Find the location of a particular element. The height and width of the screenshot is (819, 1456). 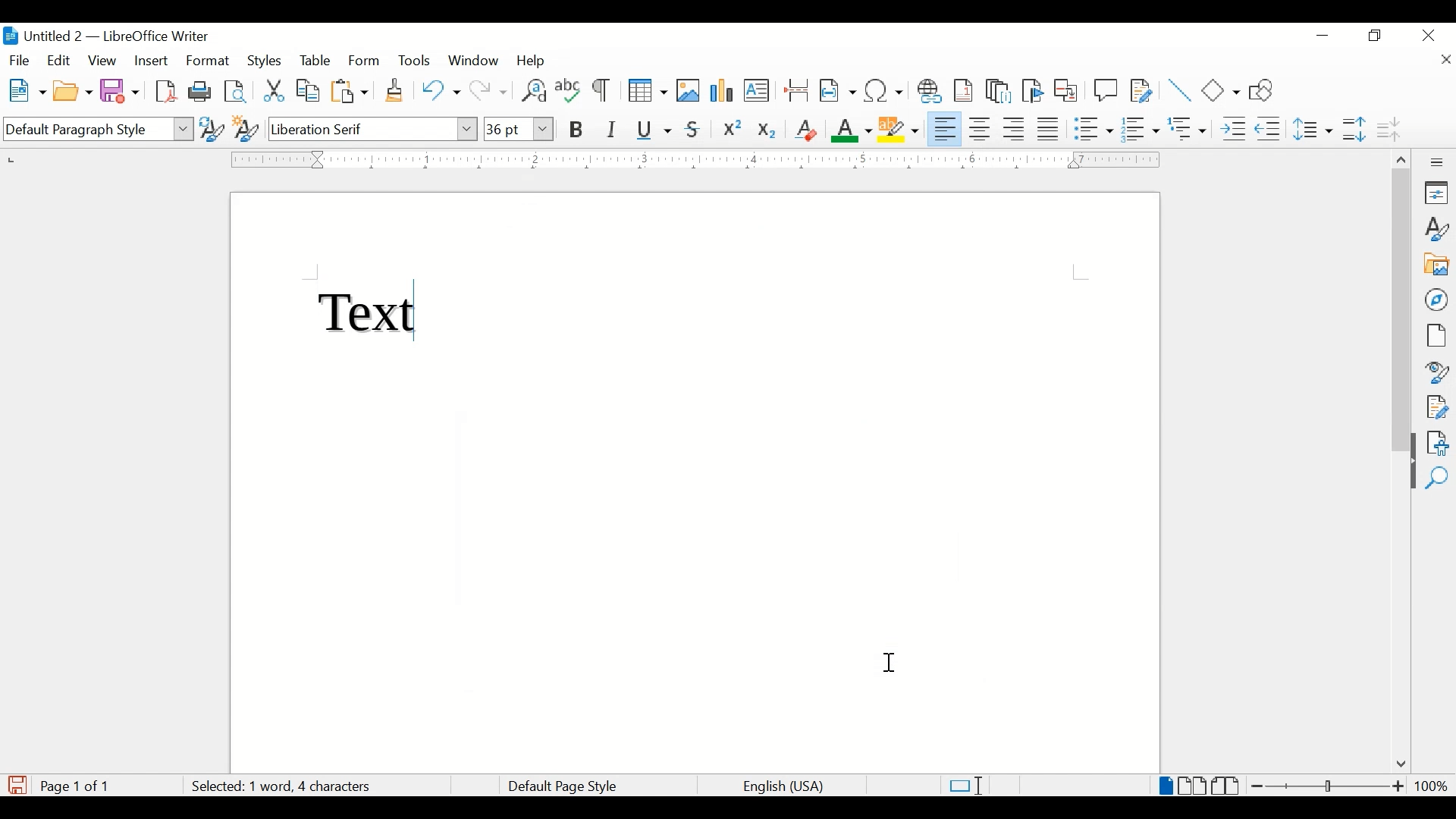

redo is located at coordinates (489, 91).